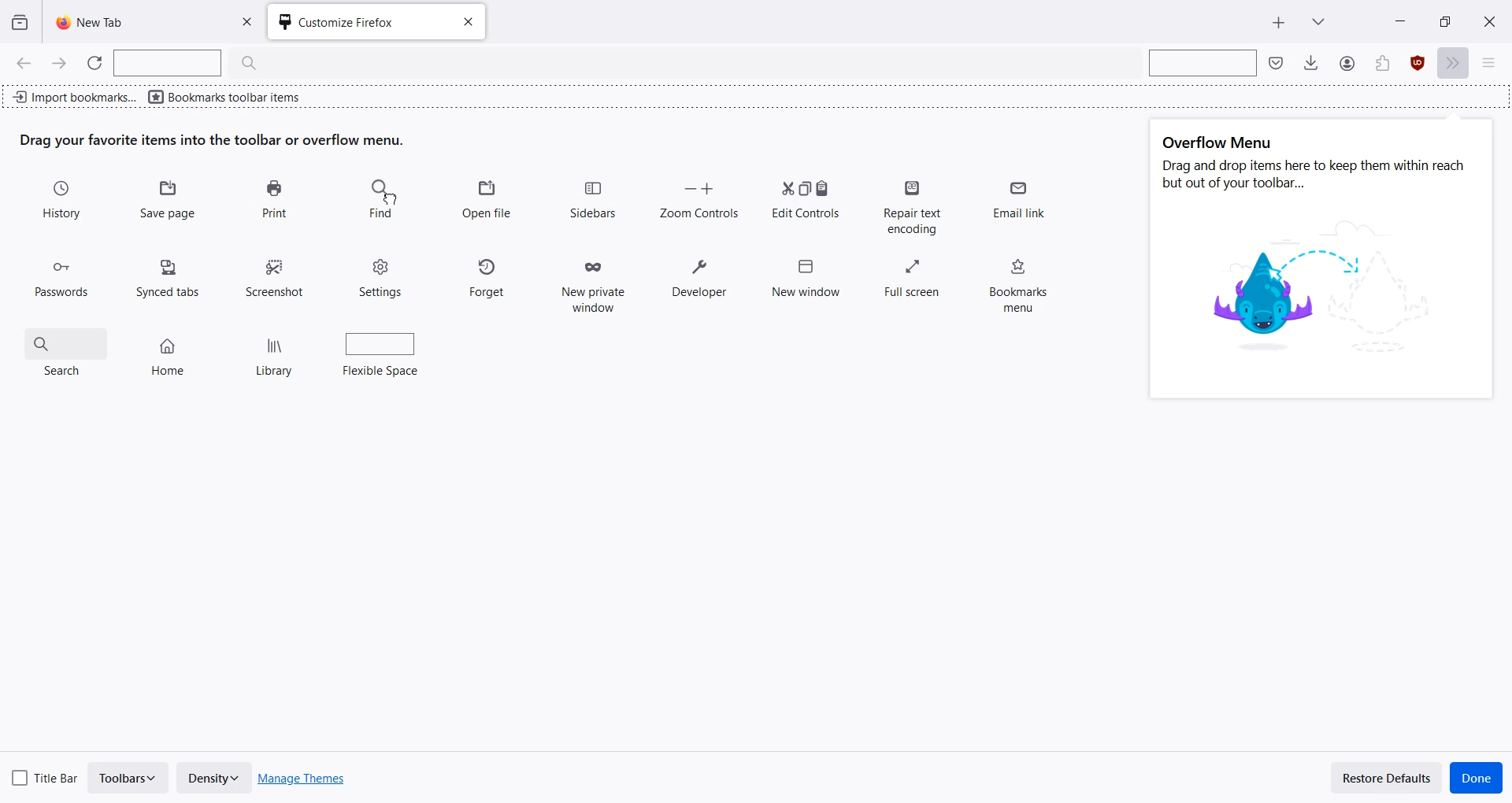  What do you see at coordinates (1015, 280) in the screenshot?
I see `Bookmarks menu` at bounding box center [1015, 280].